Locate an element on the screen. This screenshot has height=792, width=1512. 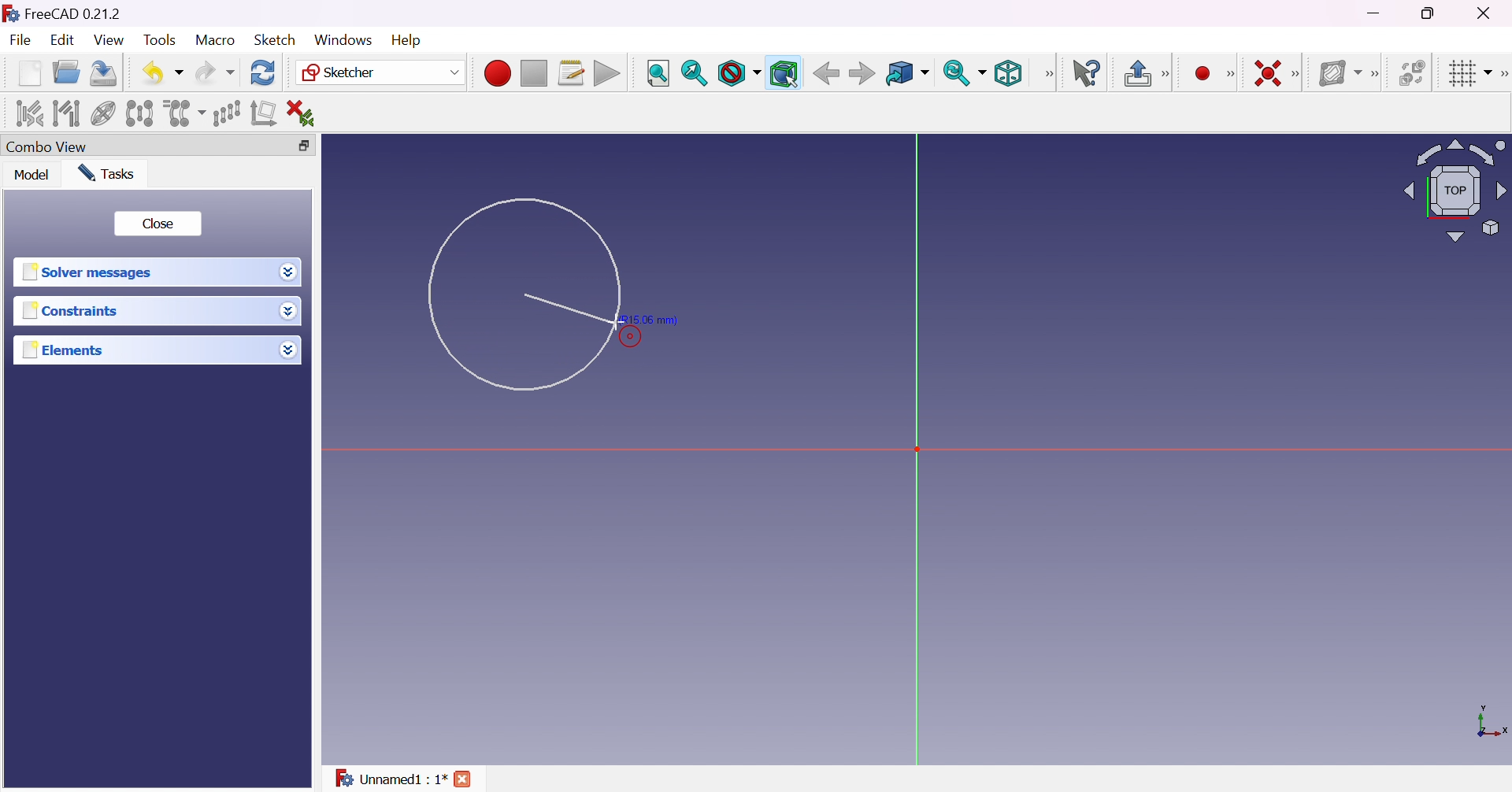
Drop down is located at coordinates (289, 272).